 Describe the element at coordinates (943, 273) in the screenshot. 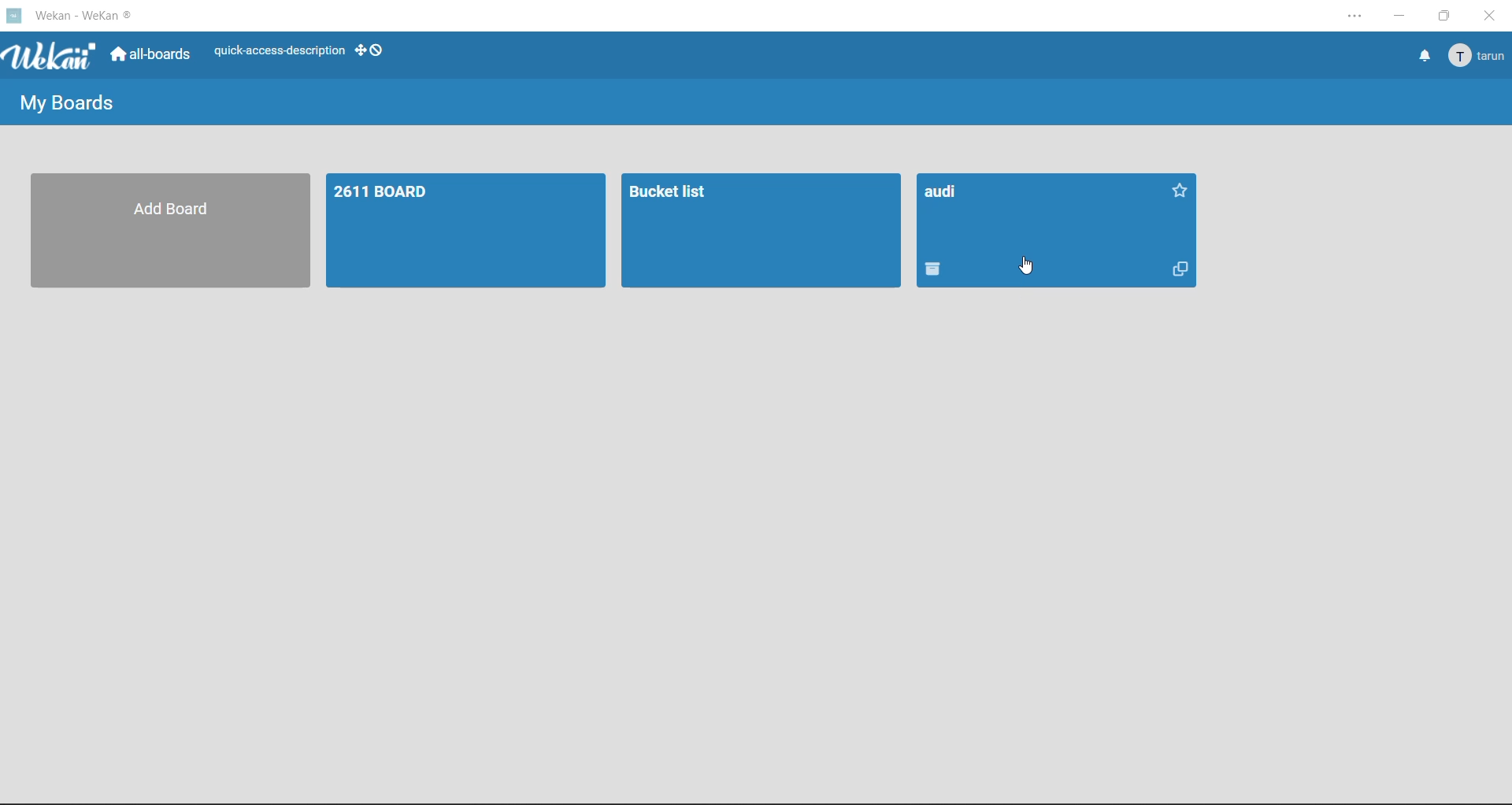

I see `delete` at that location.